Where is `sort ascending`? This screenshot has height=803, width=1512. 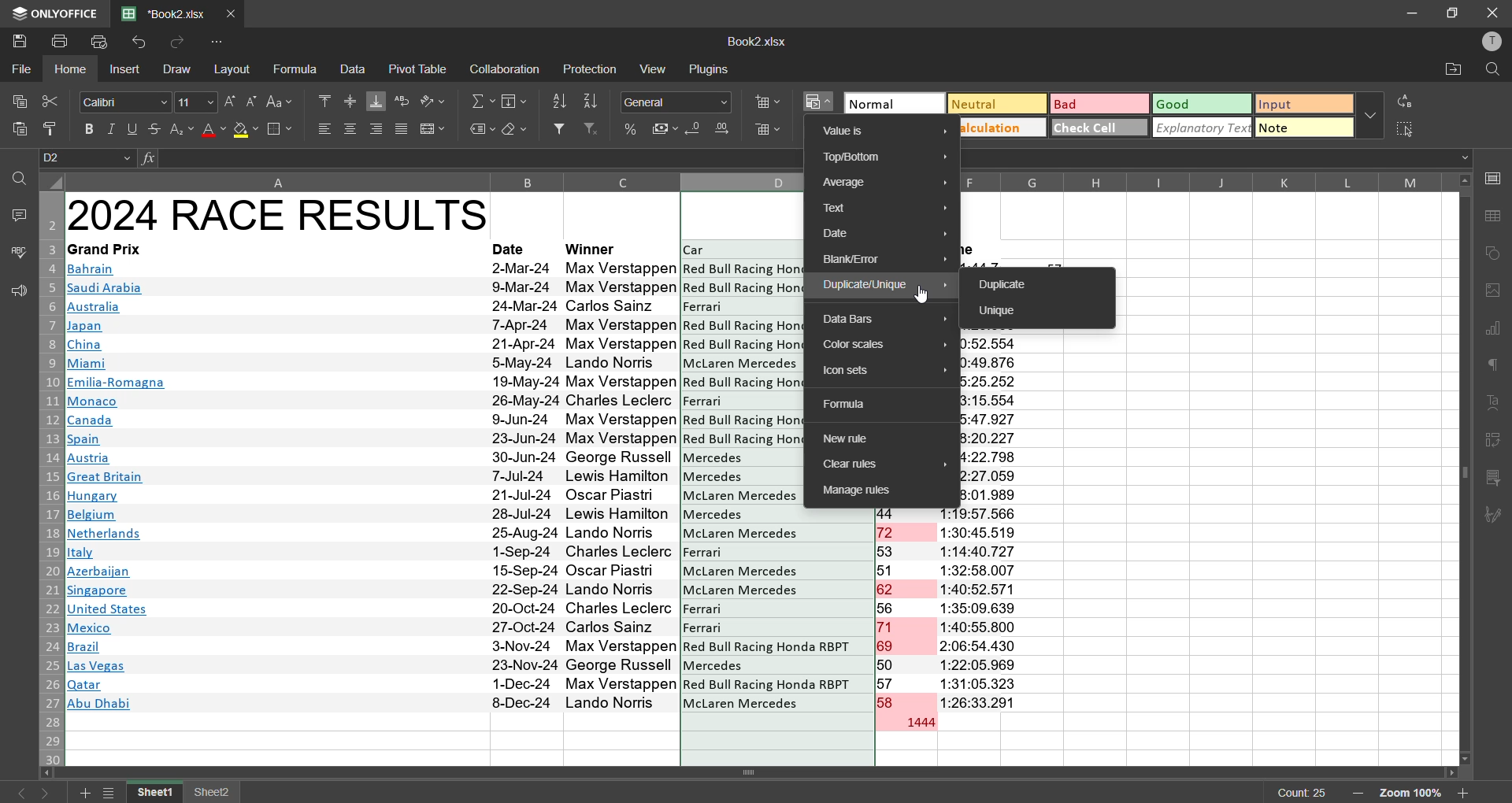 sort ascending is located at coordinates (559, 102).